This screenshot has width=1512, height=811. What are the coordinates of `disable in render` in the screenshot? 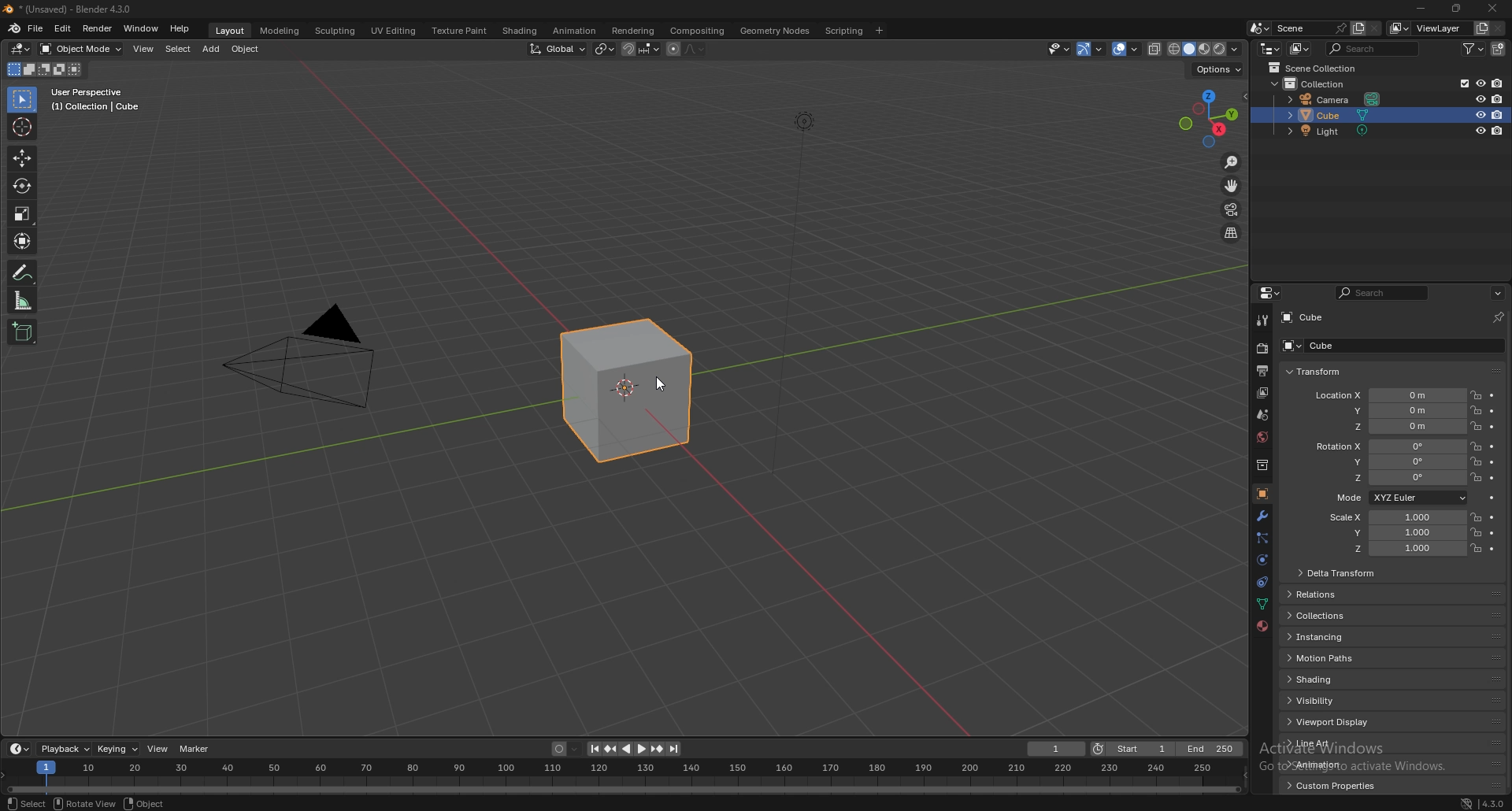 It's located at (1498, 115).